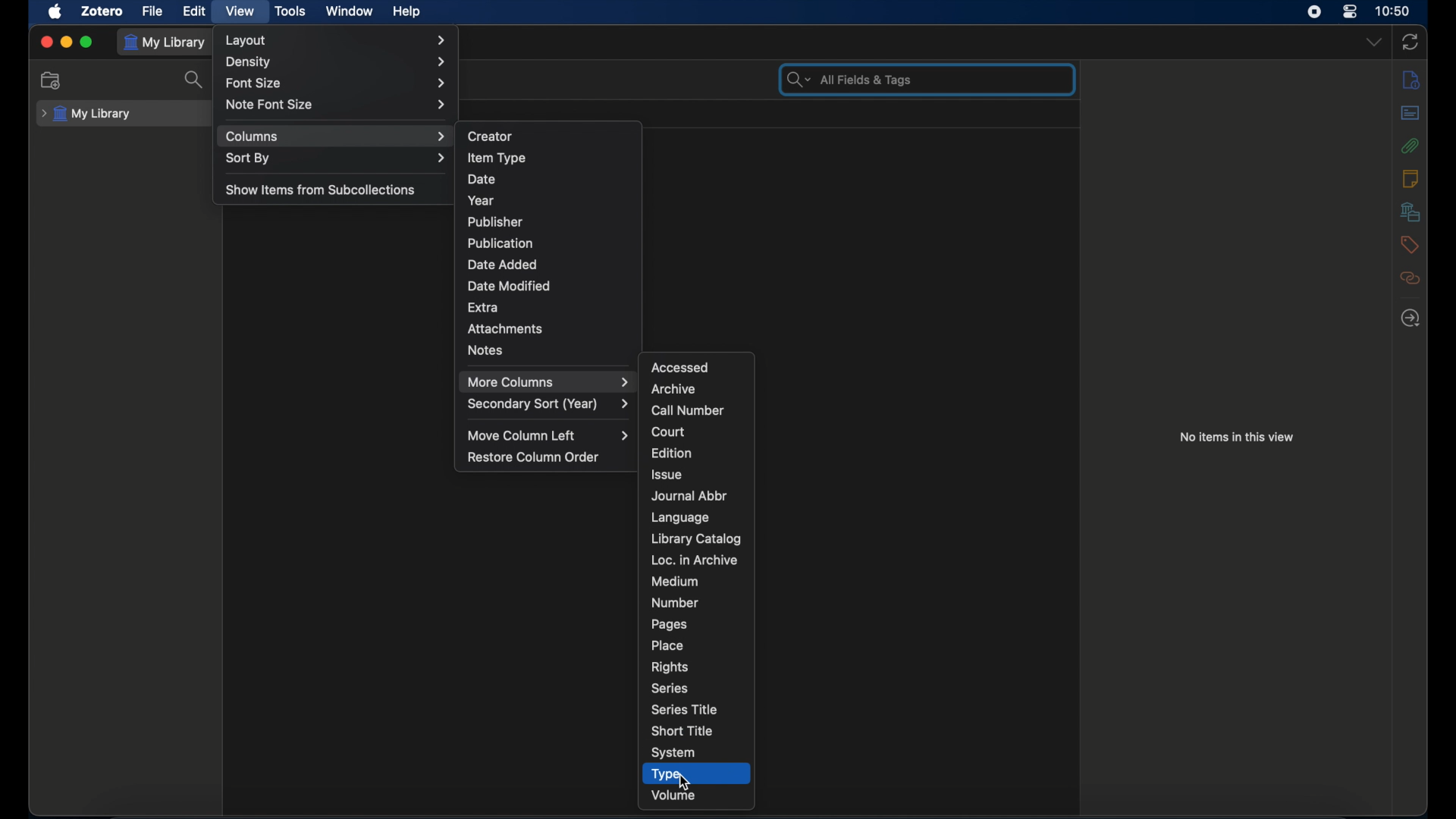 This screenshot has width=1456, height=819. What do you see at coordinates (335, 62) in the screenshot?
I see `density` at bounding box center [335, 62].